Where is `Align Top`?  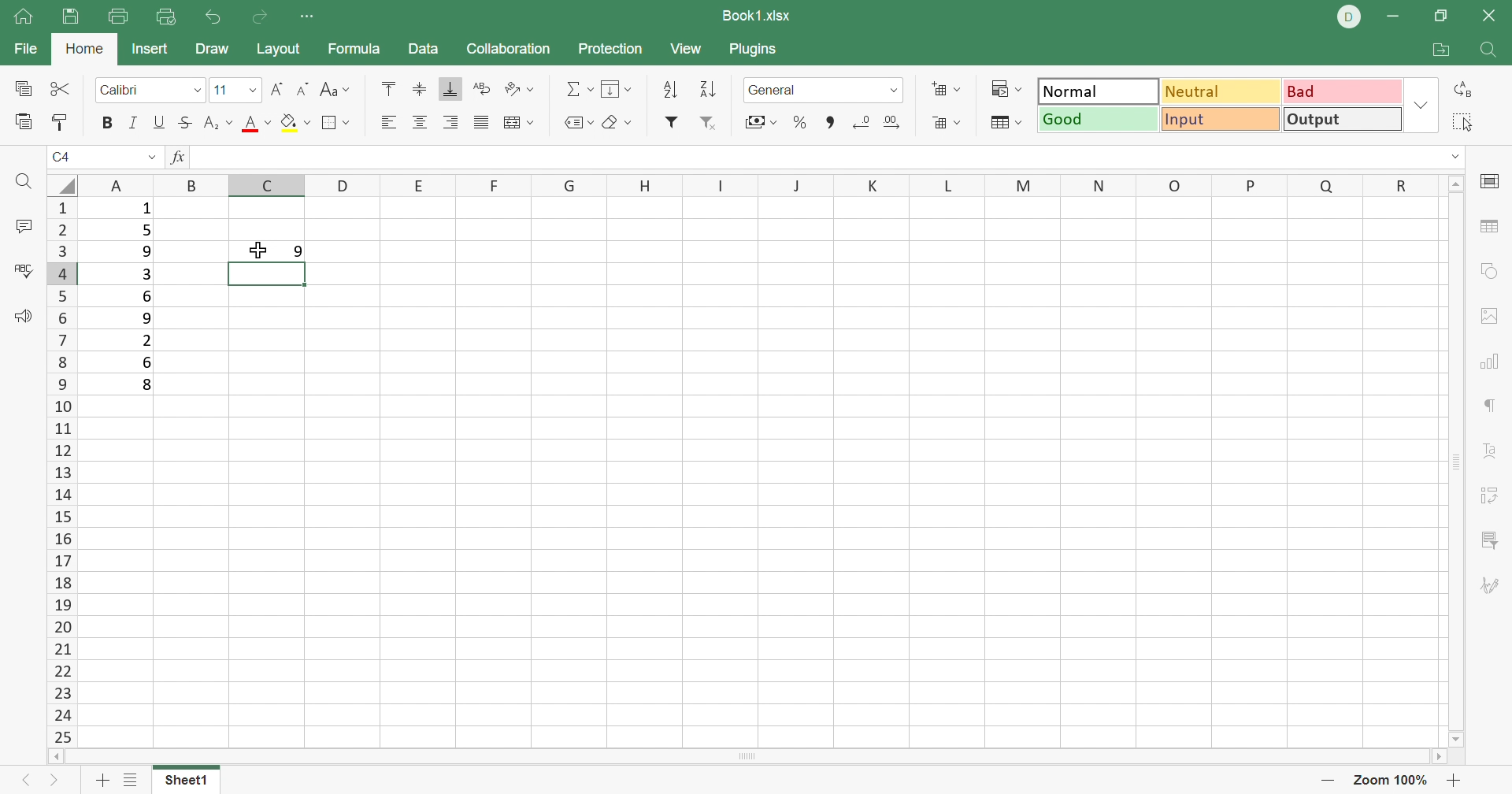 Align Top is located at coordinates (389, 92).